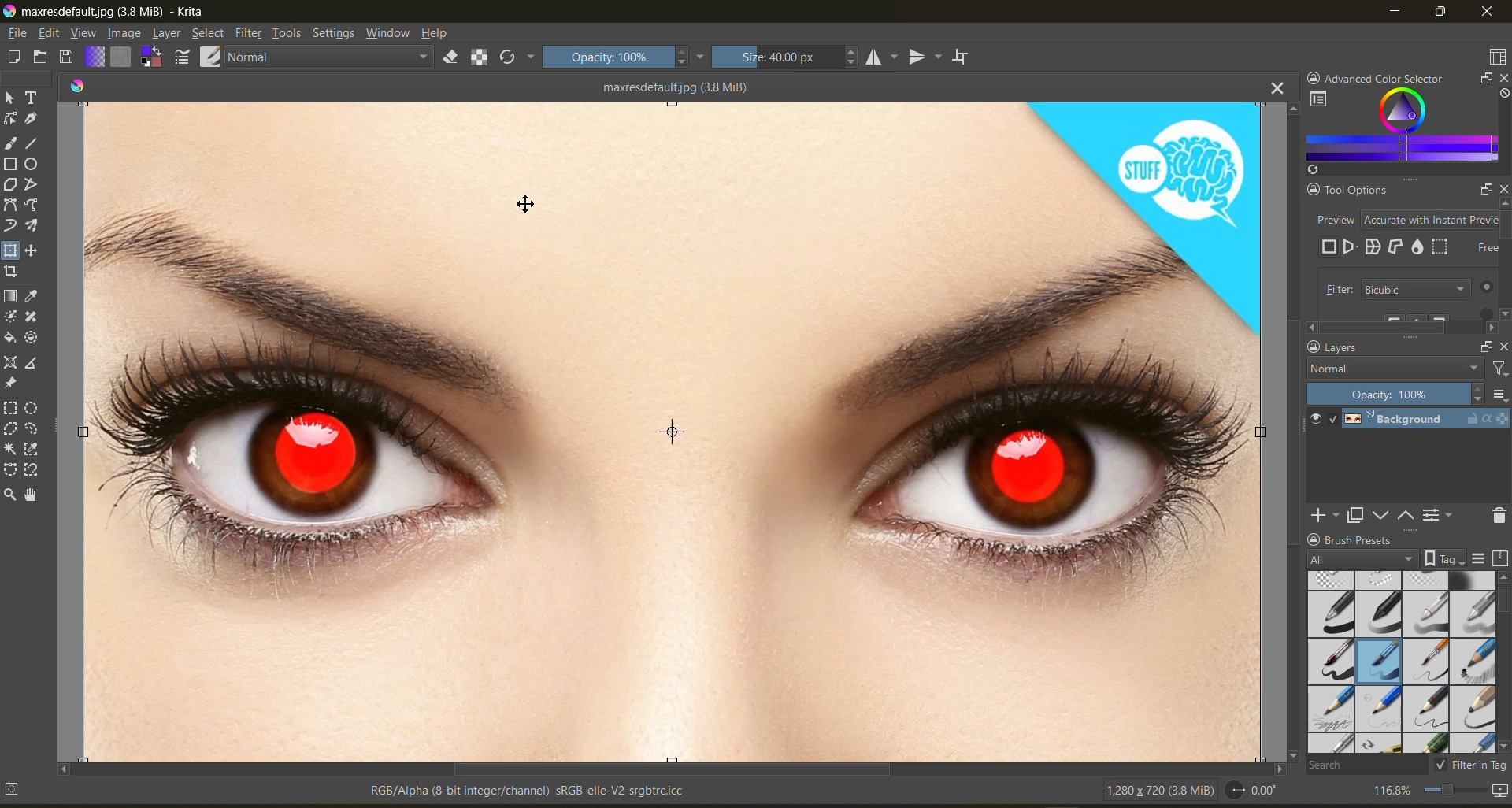  I want to click on show tag box, so click(1445, 558).